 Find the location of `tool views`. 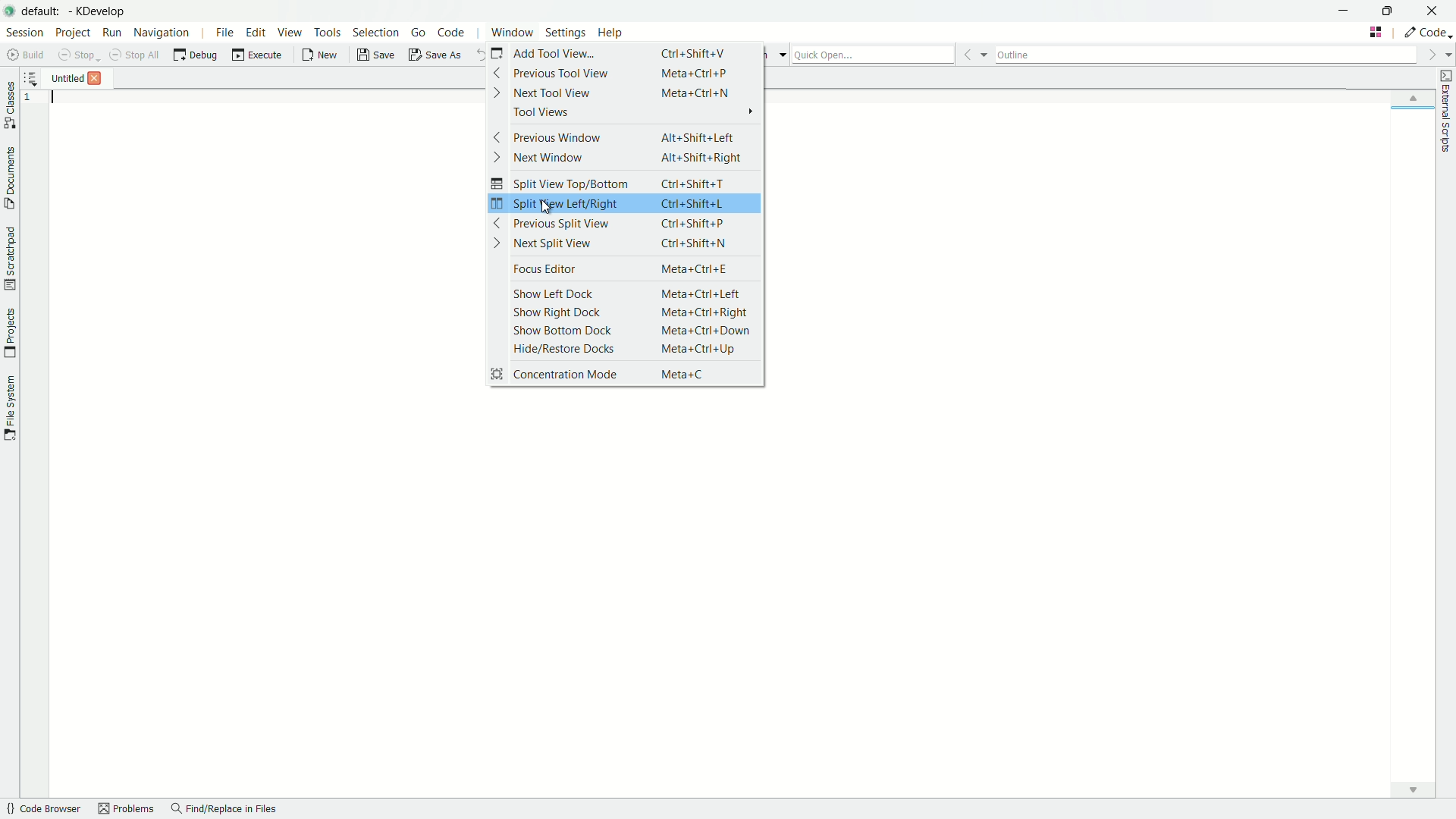

tool views is located at coordinates (622, 114).